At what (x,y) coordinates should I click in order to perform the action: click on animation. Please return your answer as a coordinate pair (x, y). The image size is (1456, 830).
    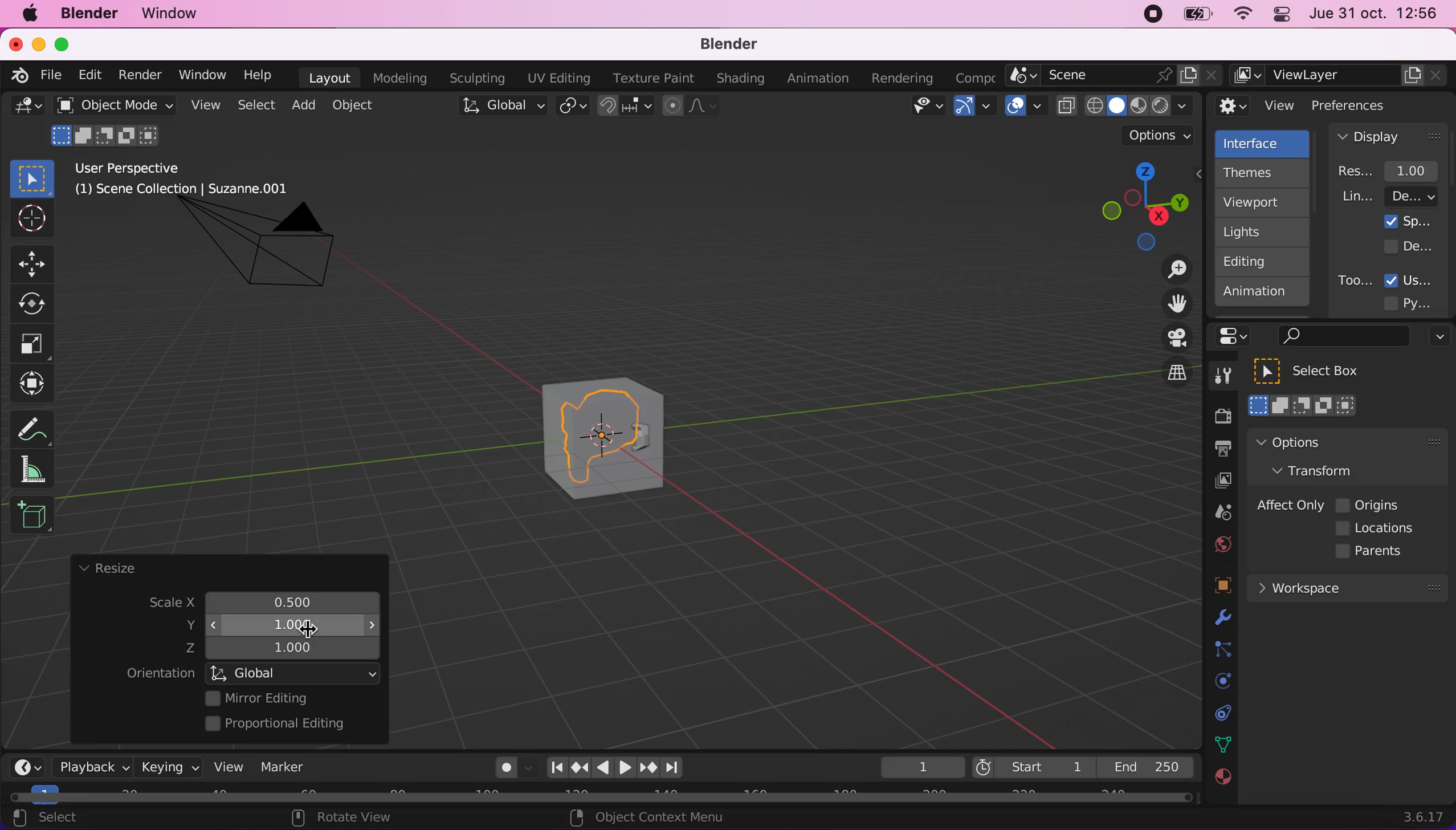
    Looking at the image, I should click on (821, 79).